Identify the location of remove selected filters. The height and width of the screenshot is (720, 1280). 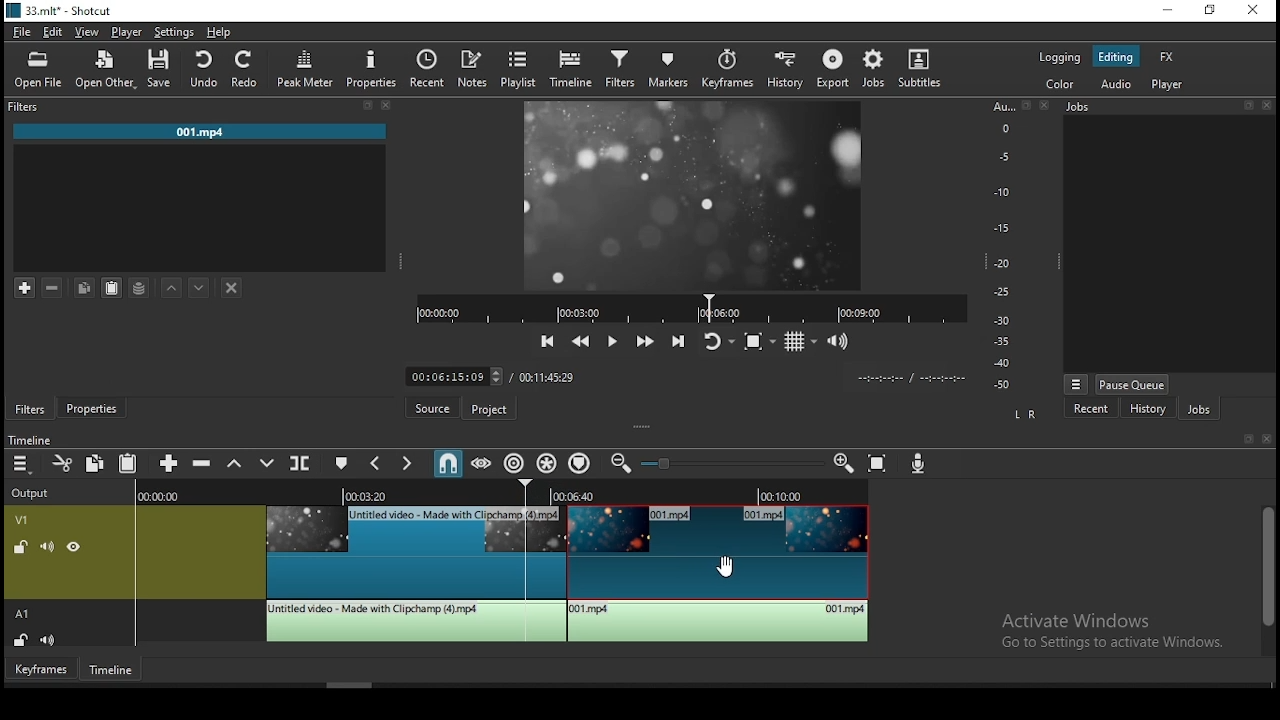
(55, 285).